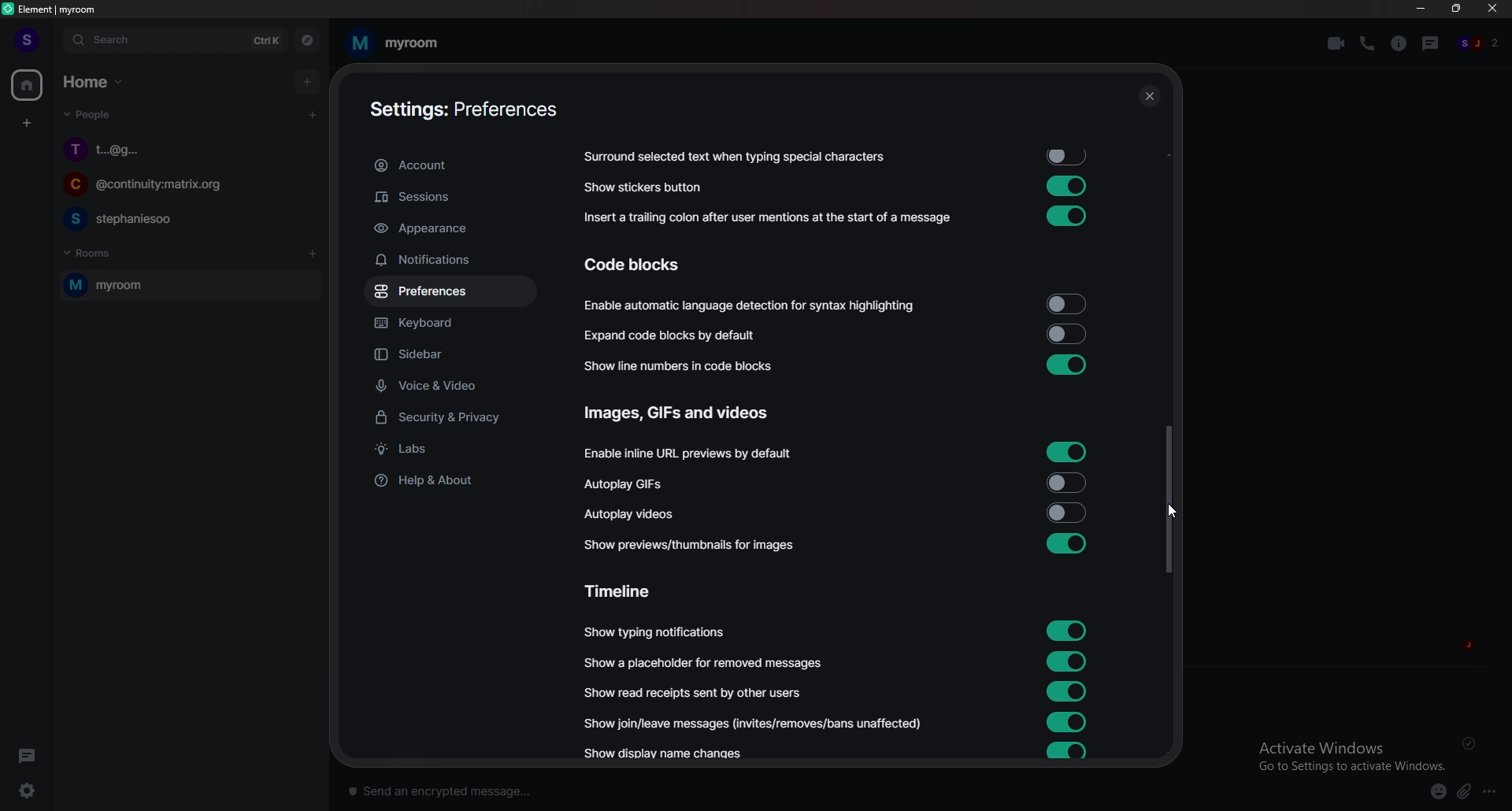 The image size is (1512, 811). What do you see at coordinates (656, 632) in the screenshot?
I see `show typing notification` at bounding box center [656, 632].